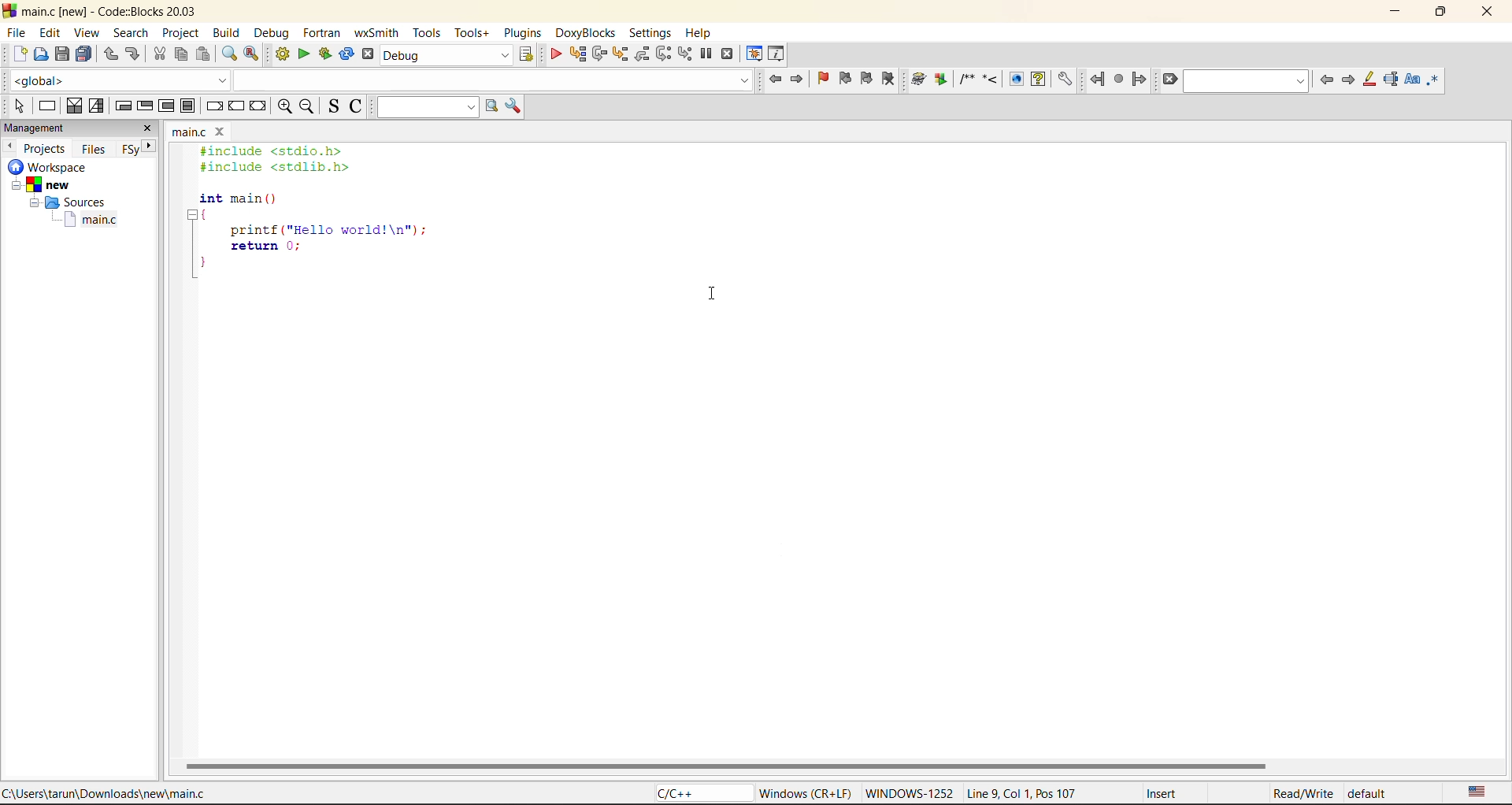  I want to click on copy, so click(182, 54).